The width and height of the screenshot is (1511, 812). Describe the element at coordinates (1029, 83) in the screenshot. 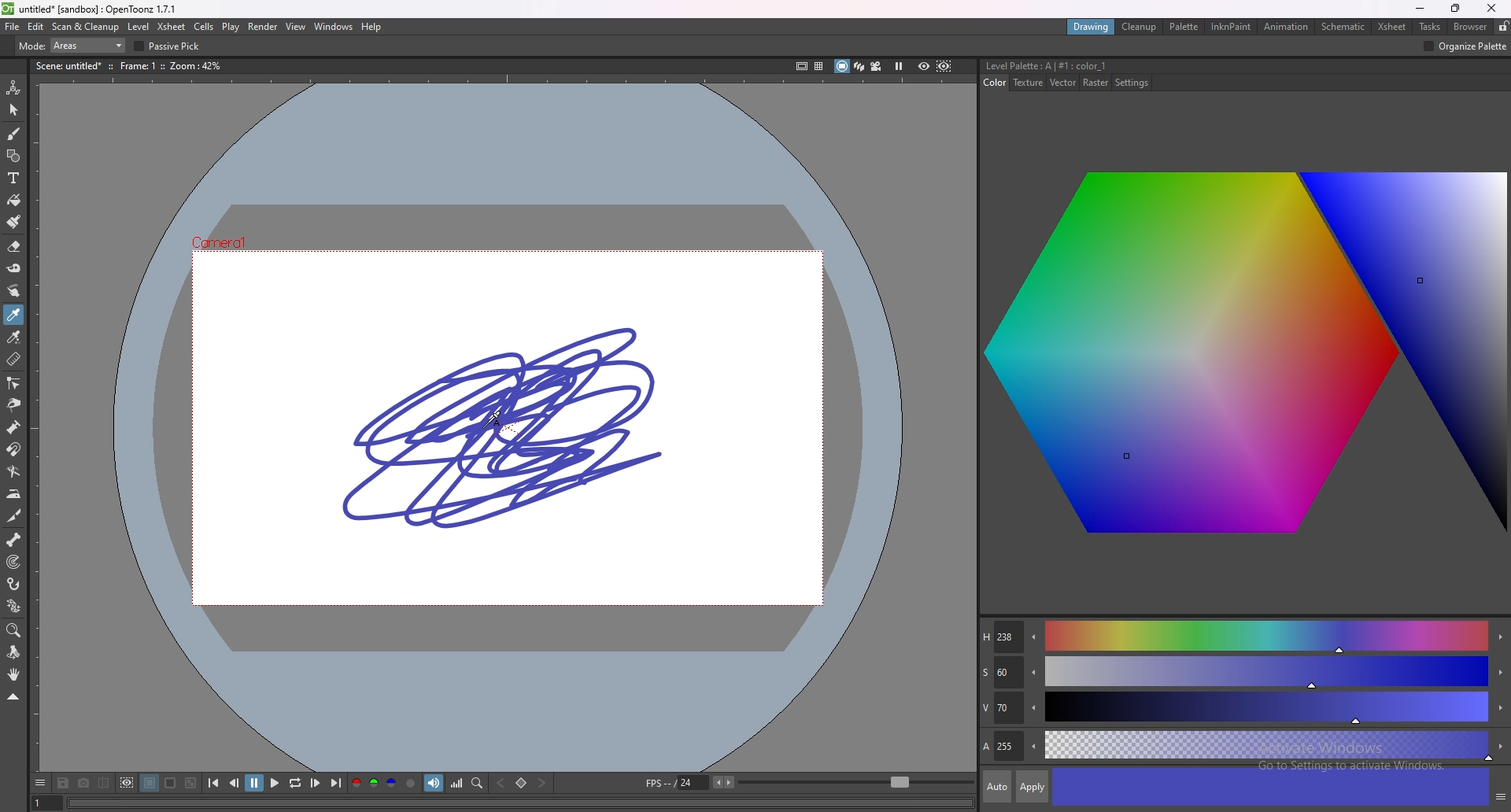

I see `texture` at that location.